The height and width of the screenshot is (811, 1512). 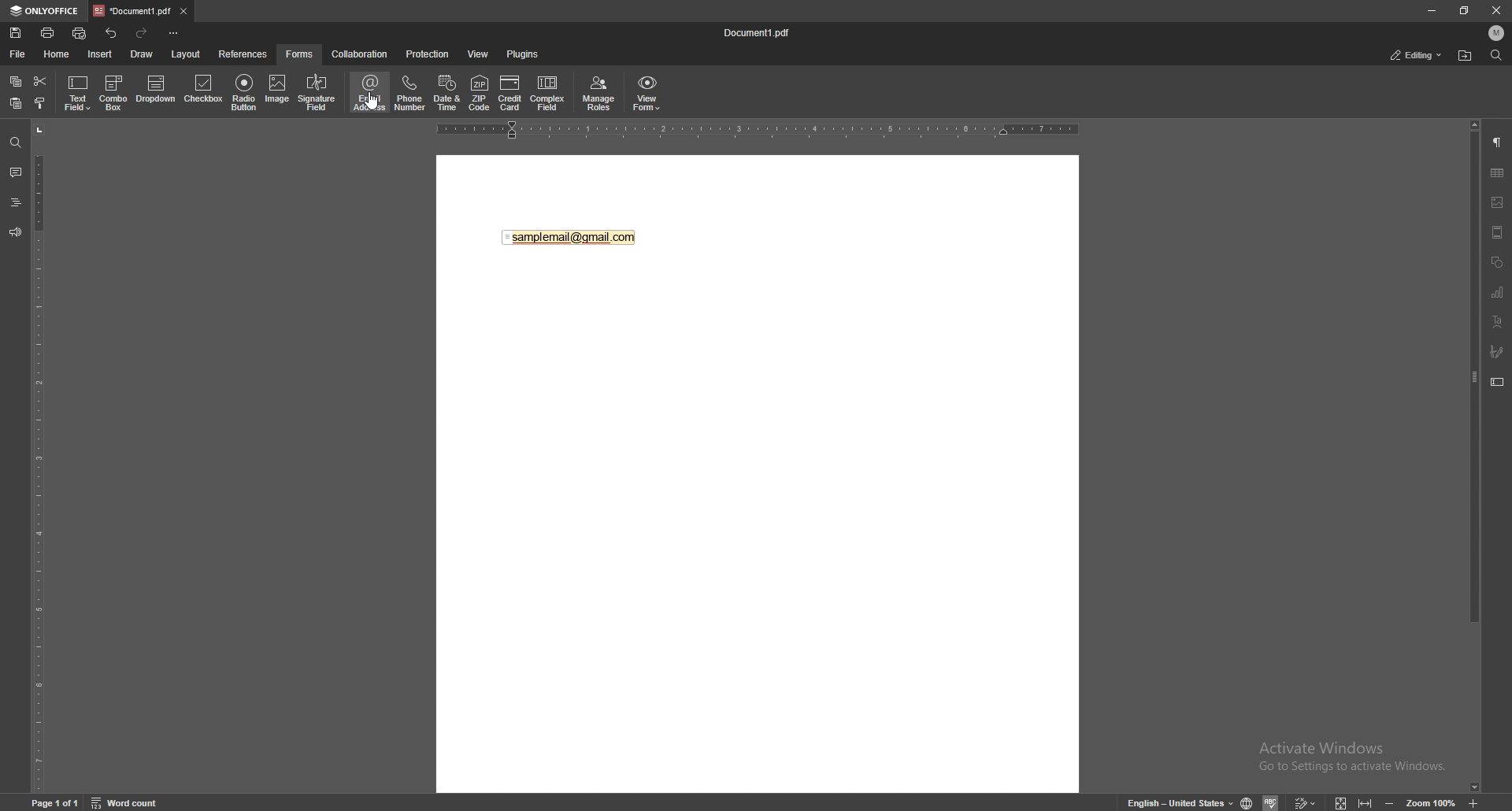 I want to click on home, so click(x=56, y=54).